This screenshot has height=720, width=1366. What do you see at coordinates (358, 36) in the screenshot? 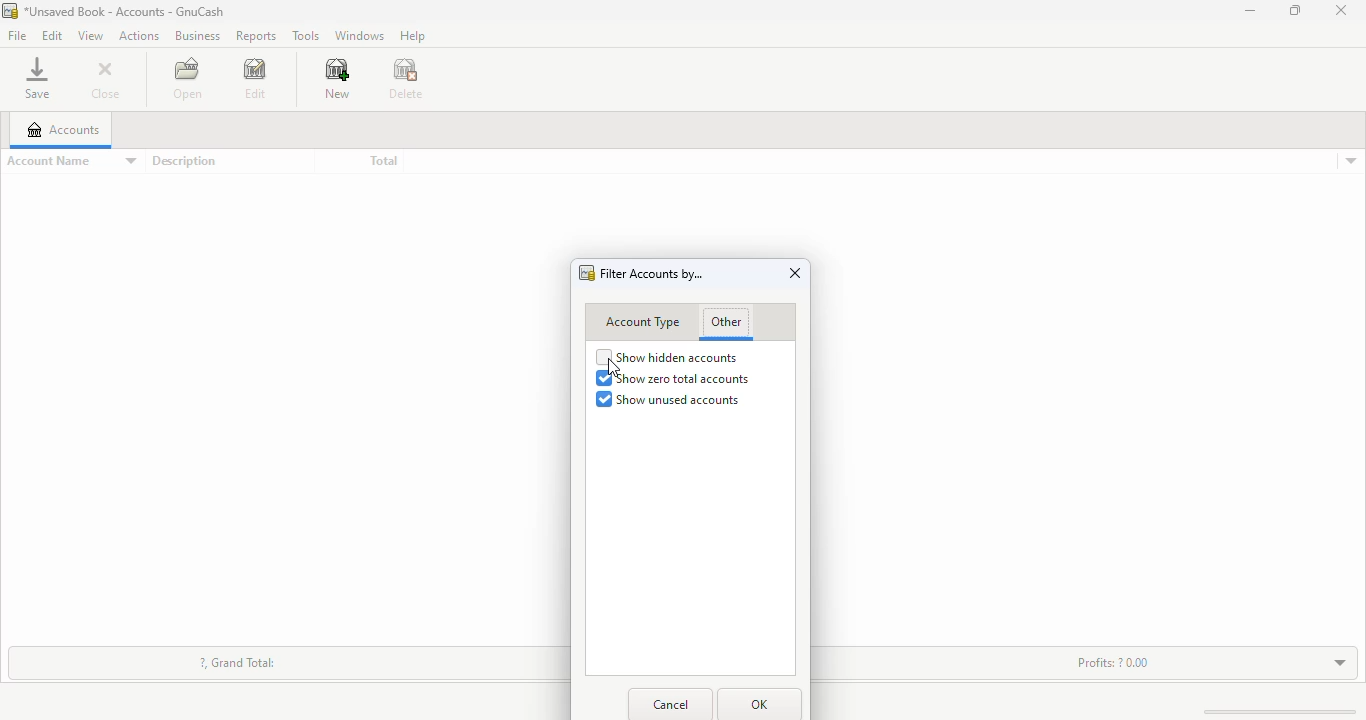
I see `windows` at bounding box center [358, 36].